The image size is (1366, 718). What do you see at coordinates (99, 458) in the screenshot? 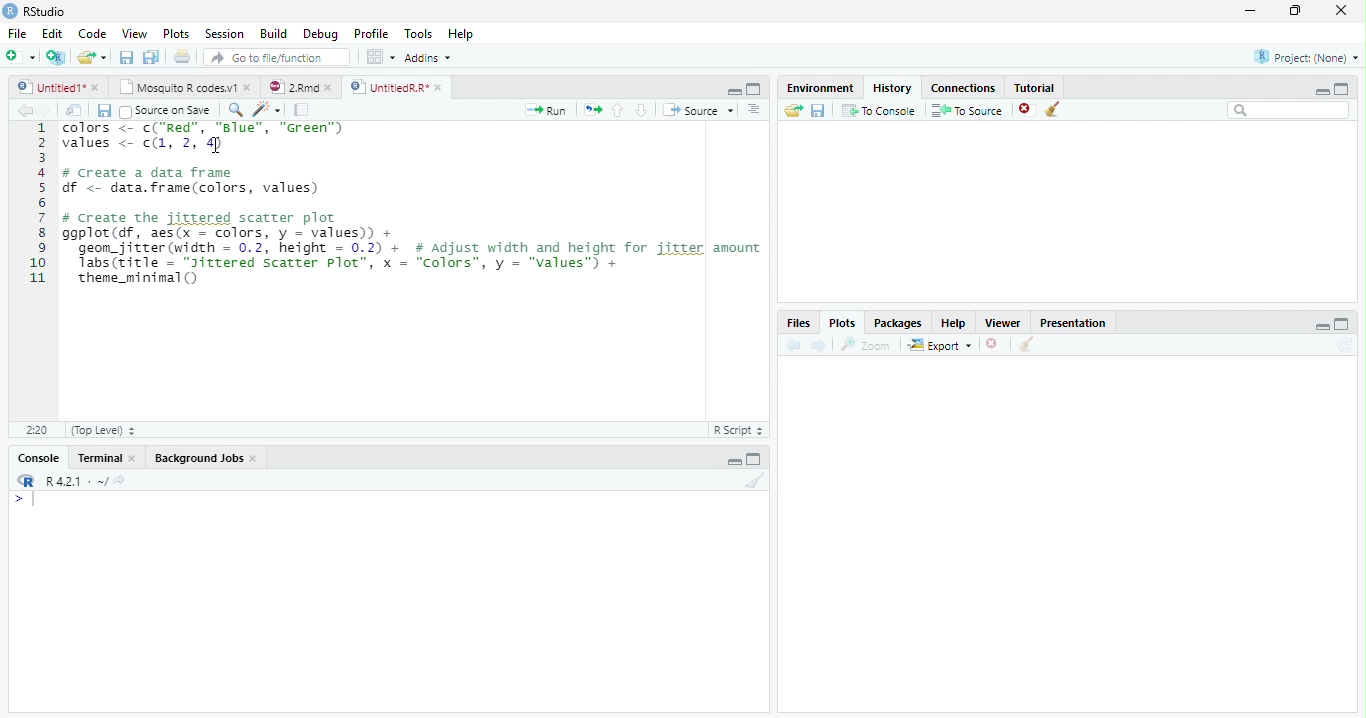
I see `Terminal` at bounding box center [99, 458].